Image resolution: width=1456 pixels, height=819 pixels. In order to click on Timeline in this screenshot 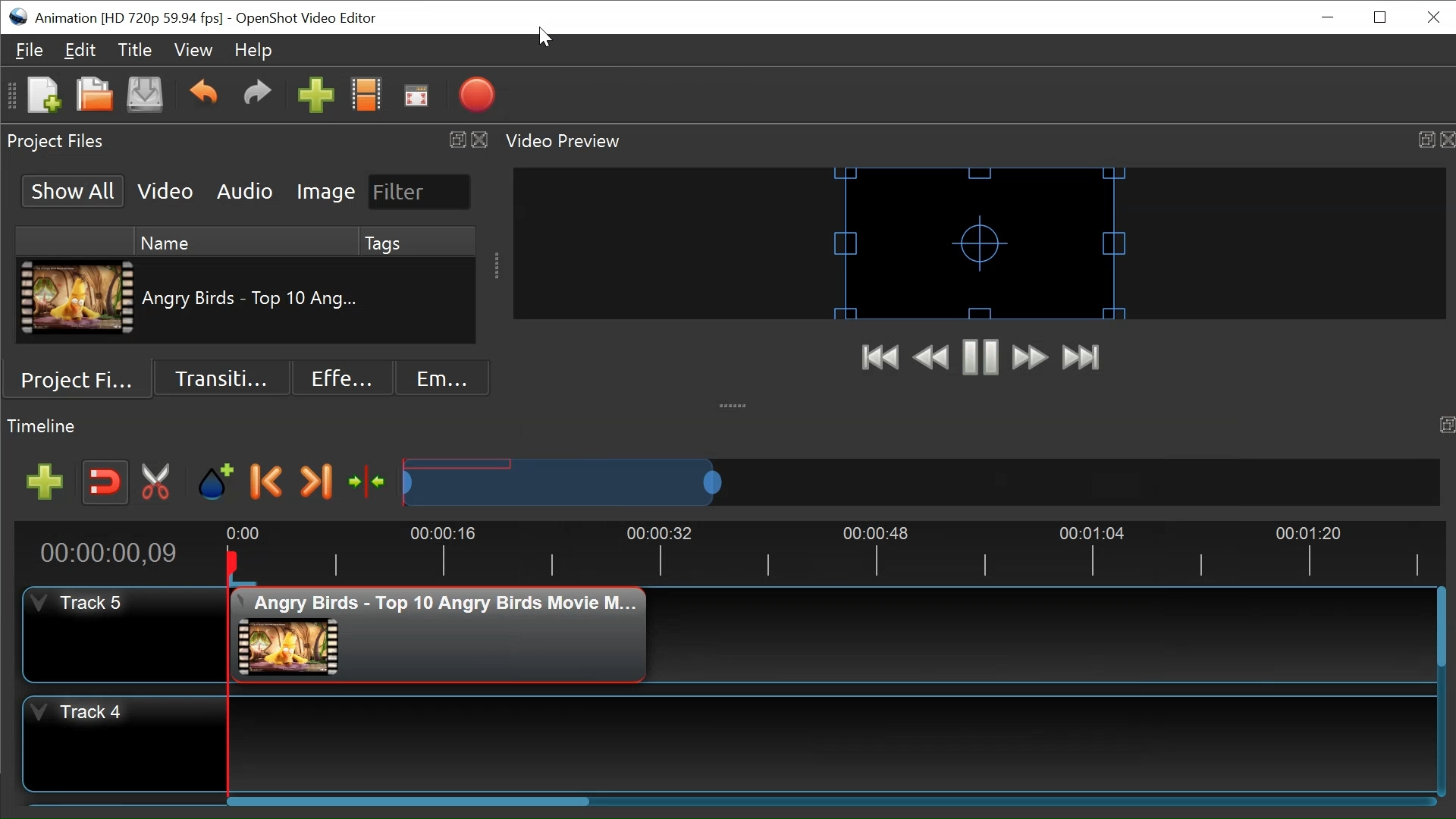, I will do `click(825, 553)`.